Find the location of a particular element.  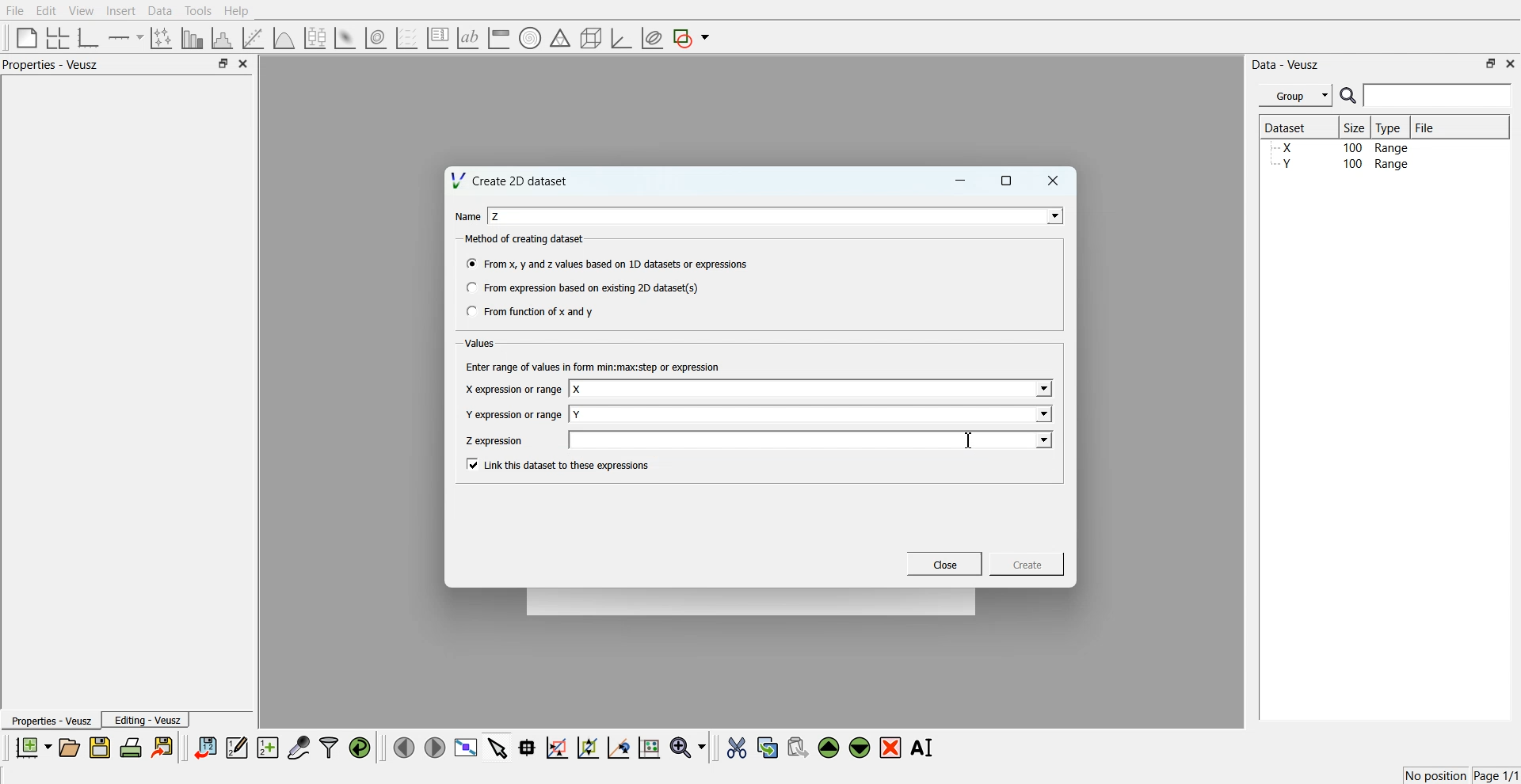

V/ Create 2D dataset is located at coordinates (511, 180).